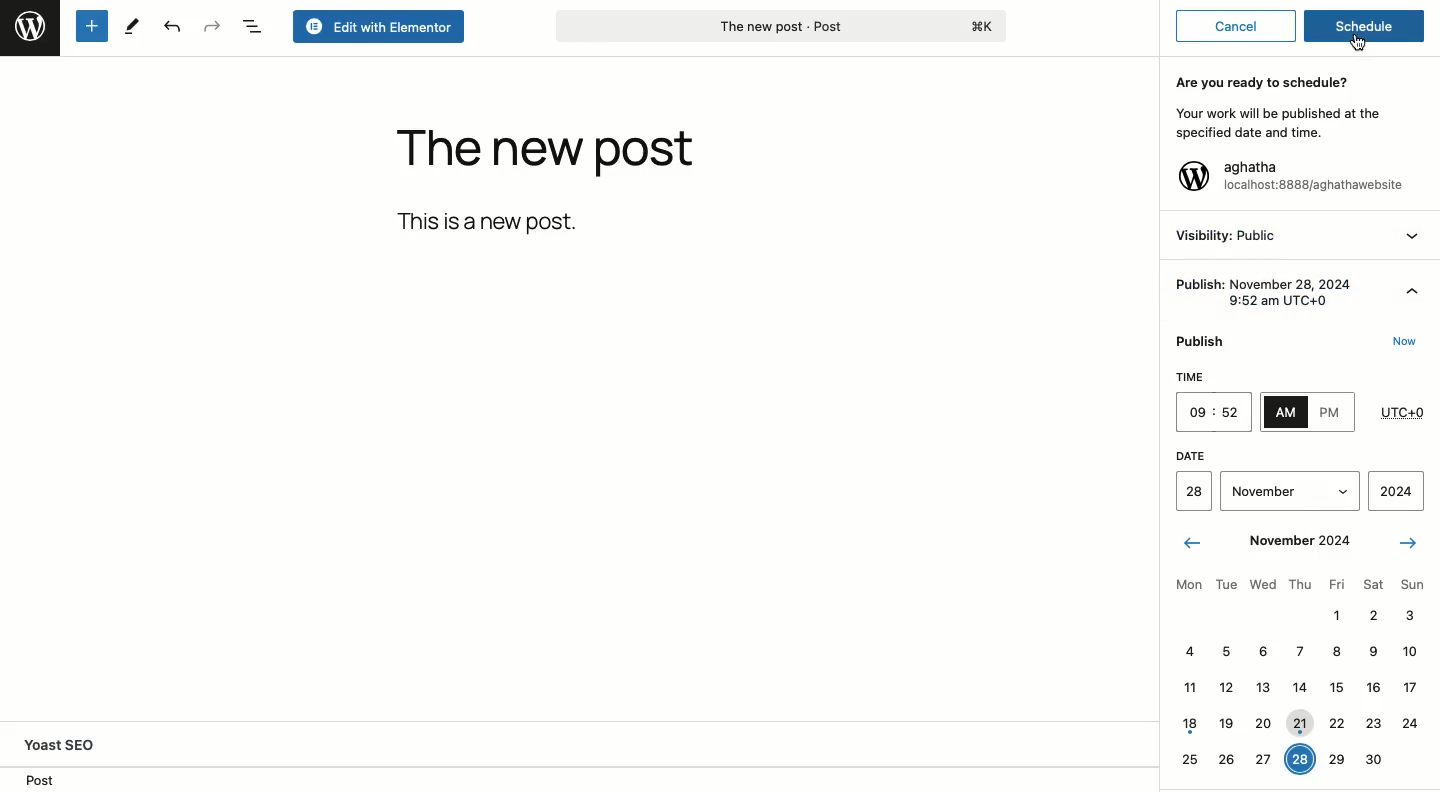  I want to click on Redo, so click(213, 25).